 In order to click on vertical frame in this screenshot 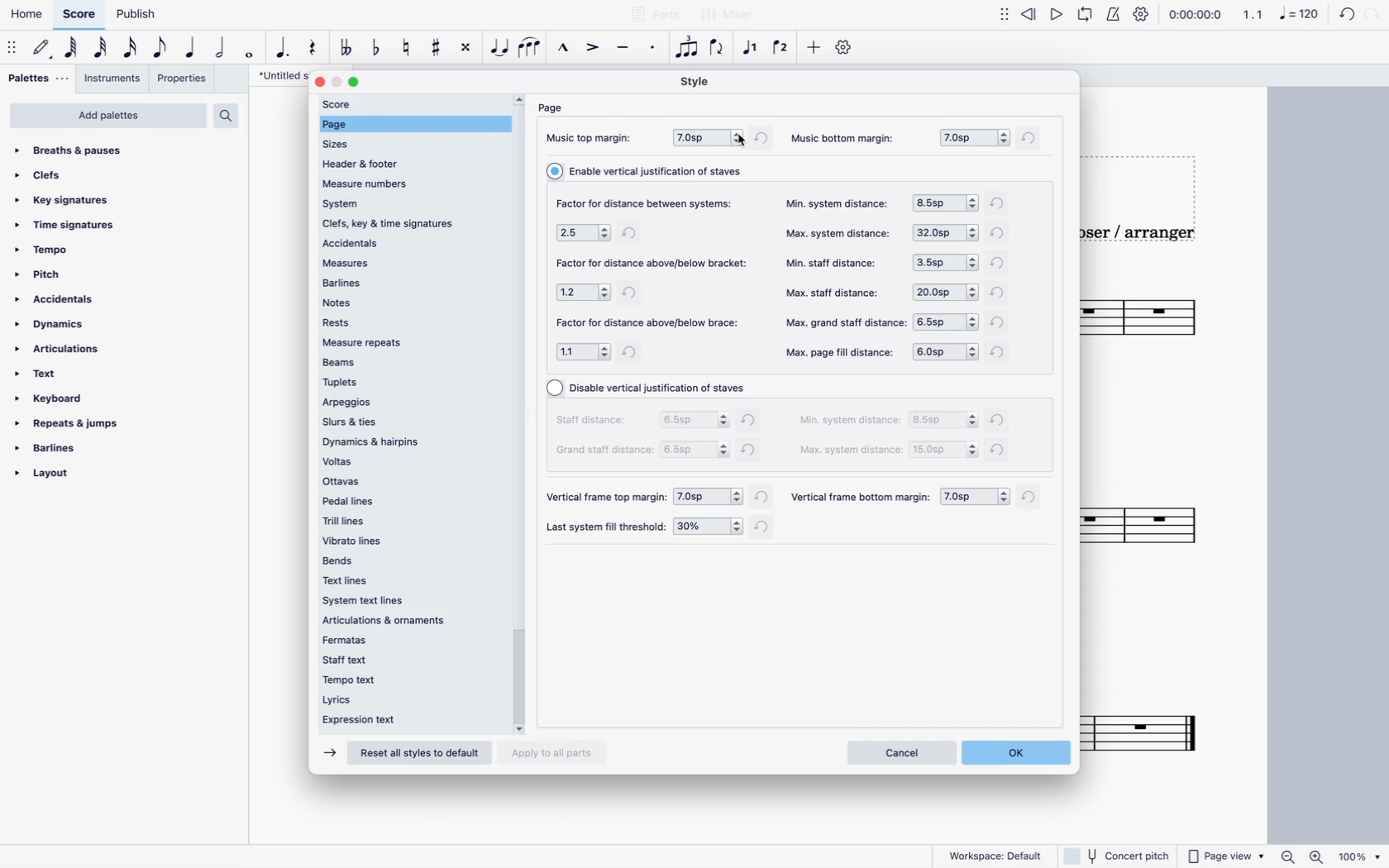, I will do `click(604, 498)`.